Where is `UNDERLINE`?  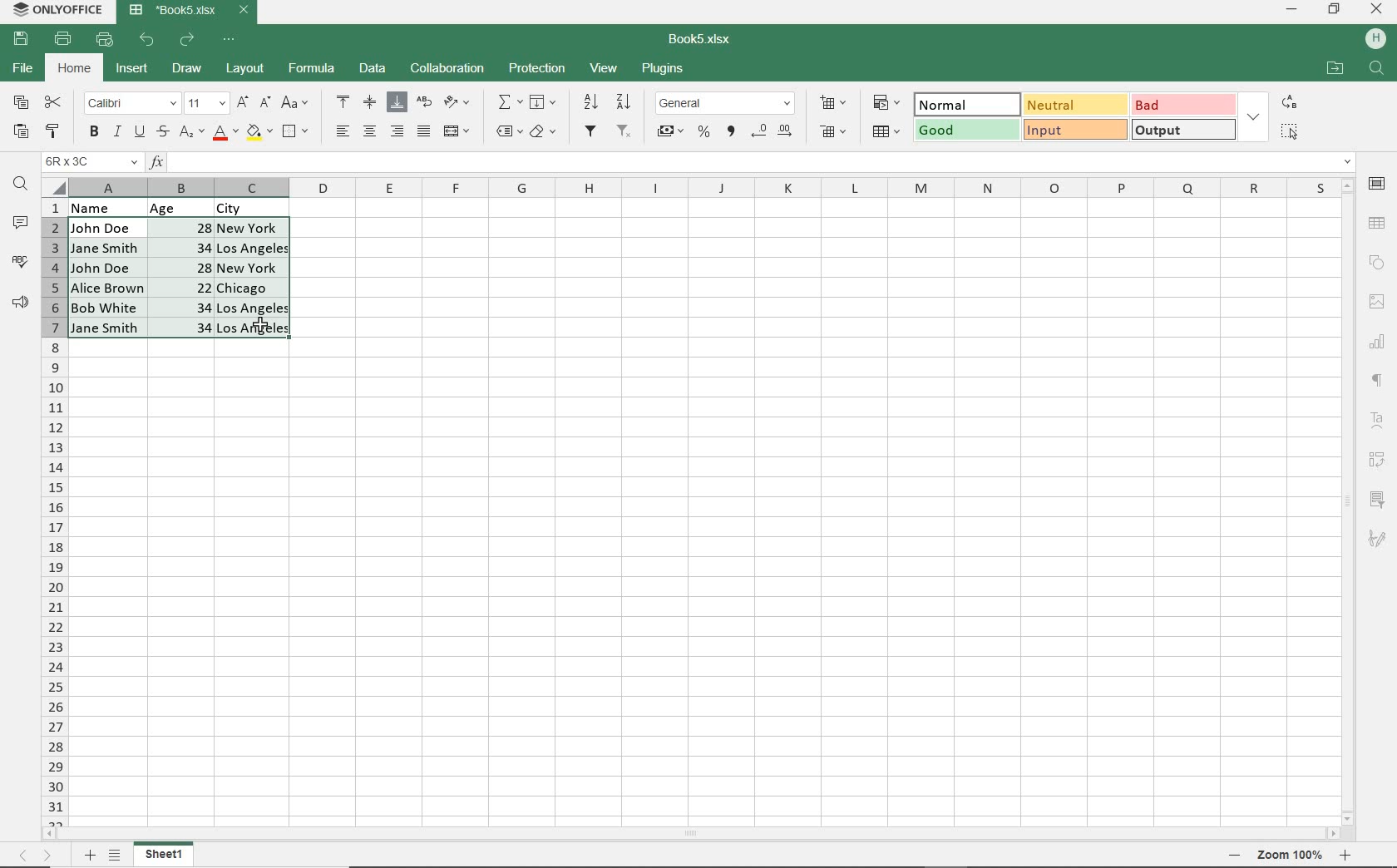
UNDERLINE is located at coordinates (138, 132).